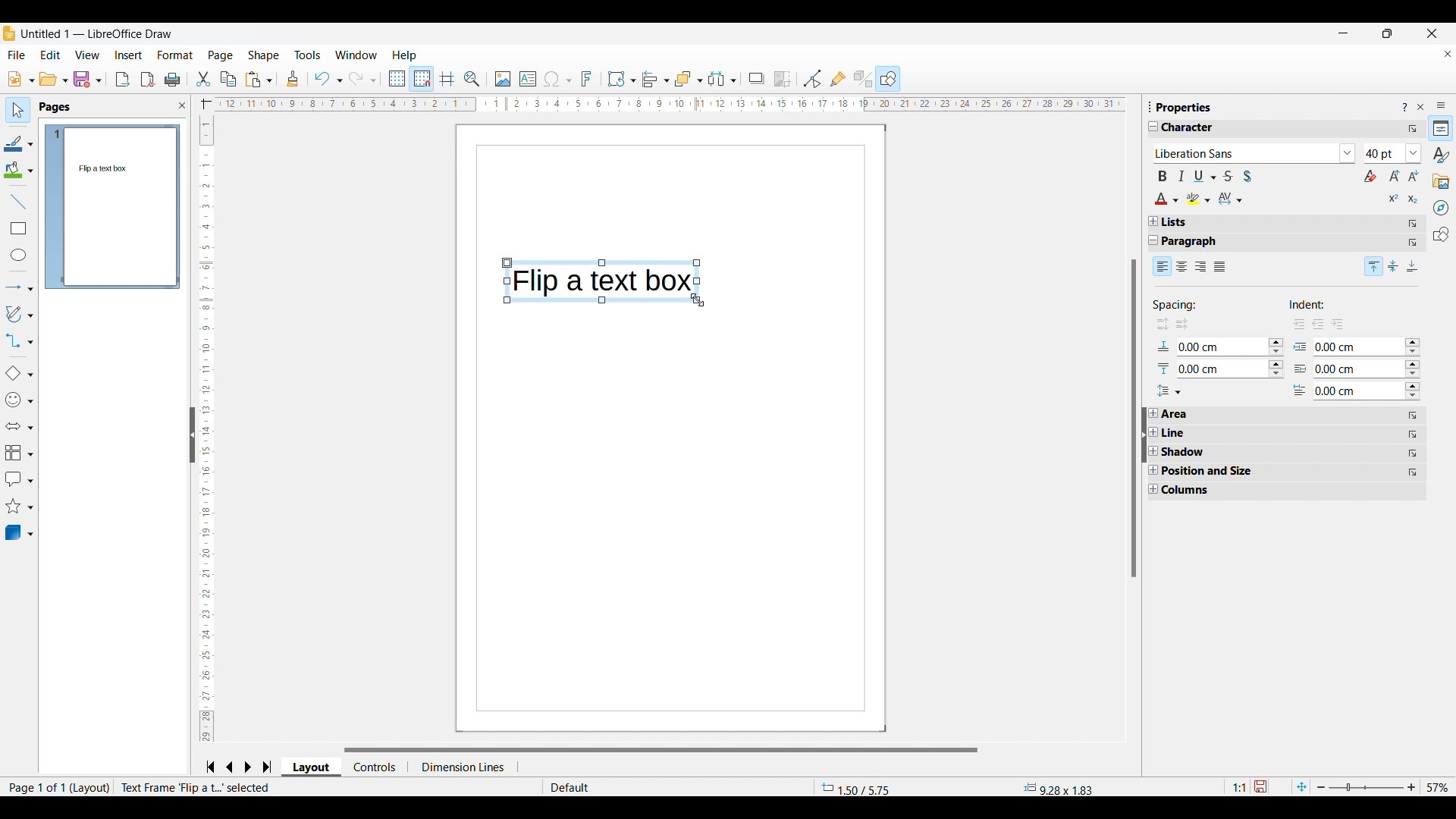 The height and width of the screenshot is (819, 1456). I want to click on Change respective spacing attribute, so click(1276, 358).